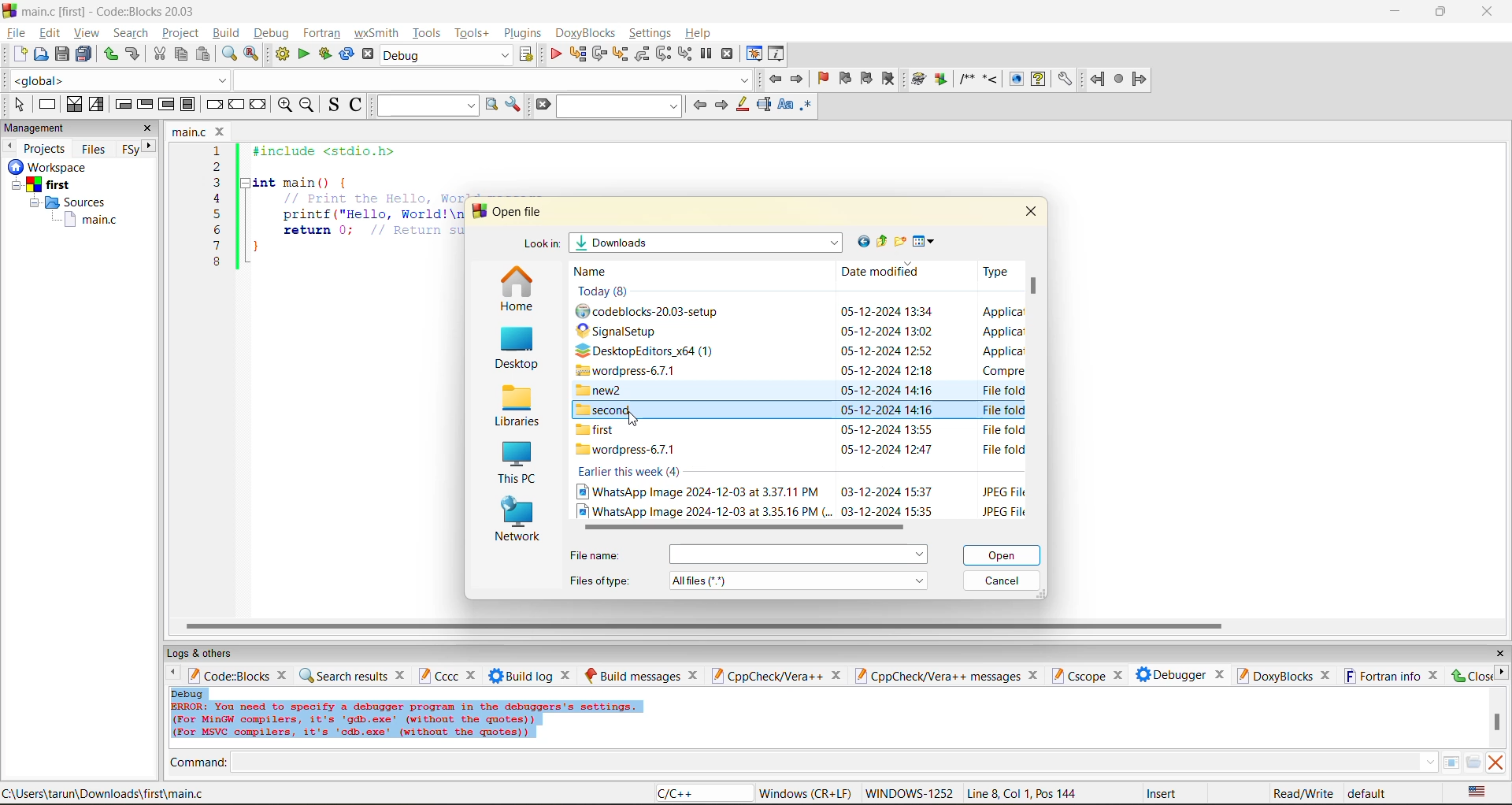 This screenshot has height=805, width=1512. I want to click on use regex, so click(806, 108).